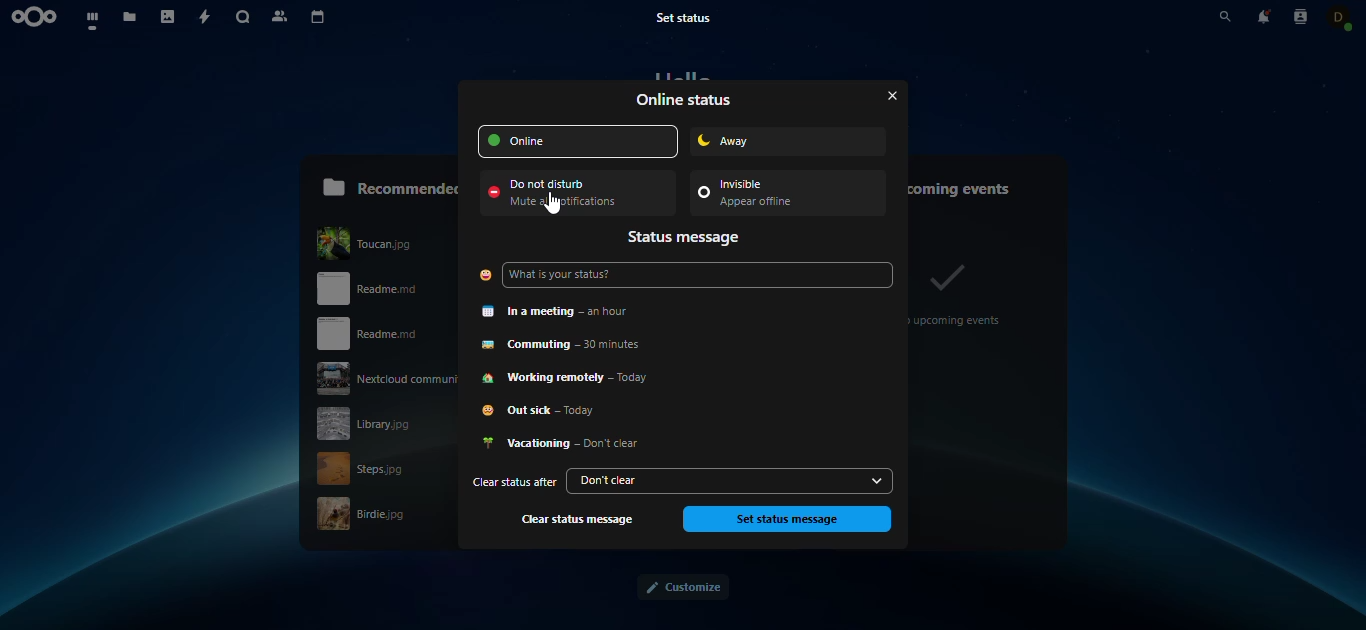 Image resolution: width=1366 pixels, height=630 pixels. Describe the element at coordinates (1341, 16) in the screenshot. I see `contact` at that location.